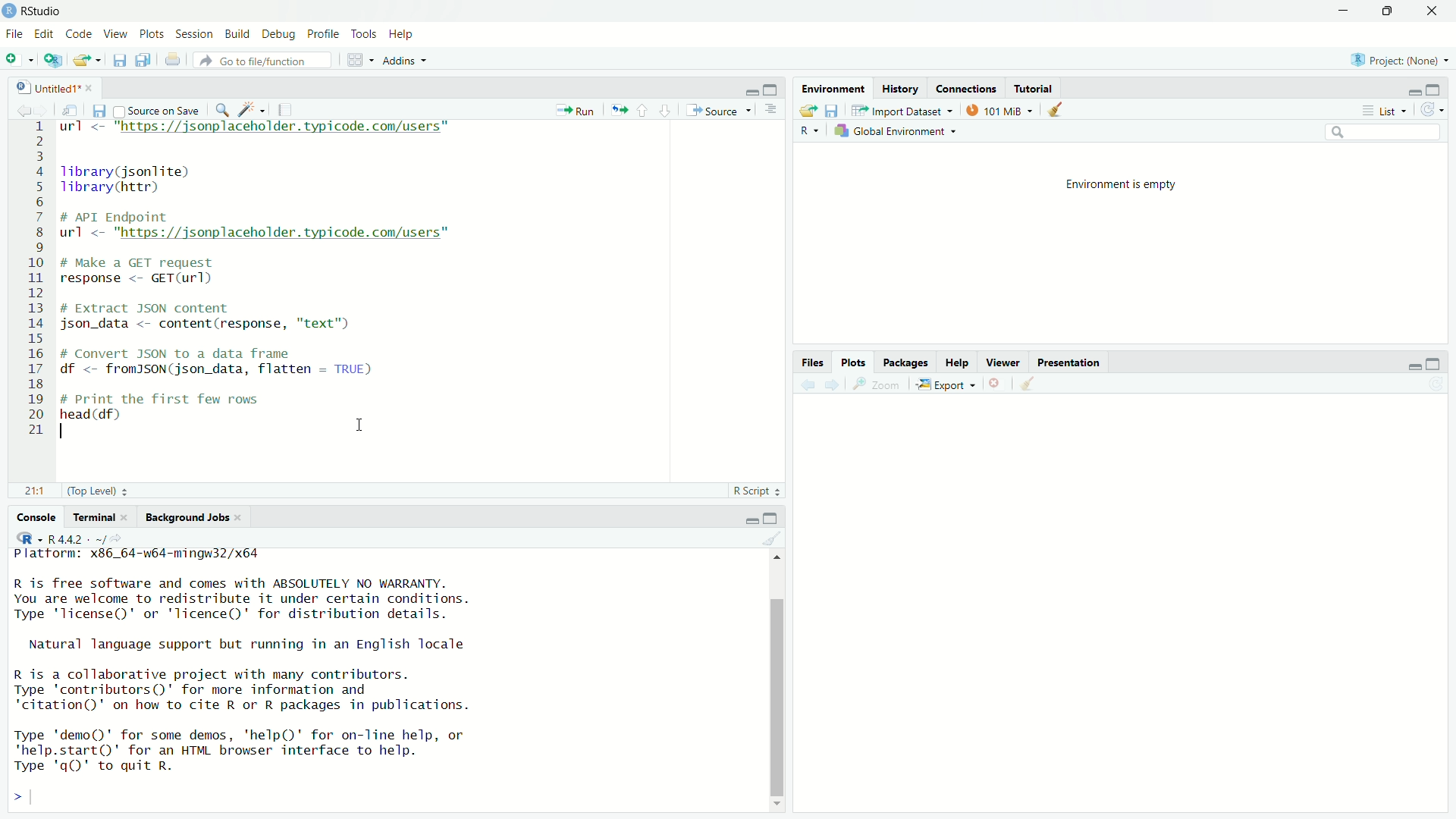 This screenshot has width=1456, height=819. I want to click on Environment is empty, so click(1122, 186).